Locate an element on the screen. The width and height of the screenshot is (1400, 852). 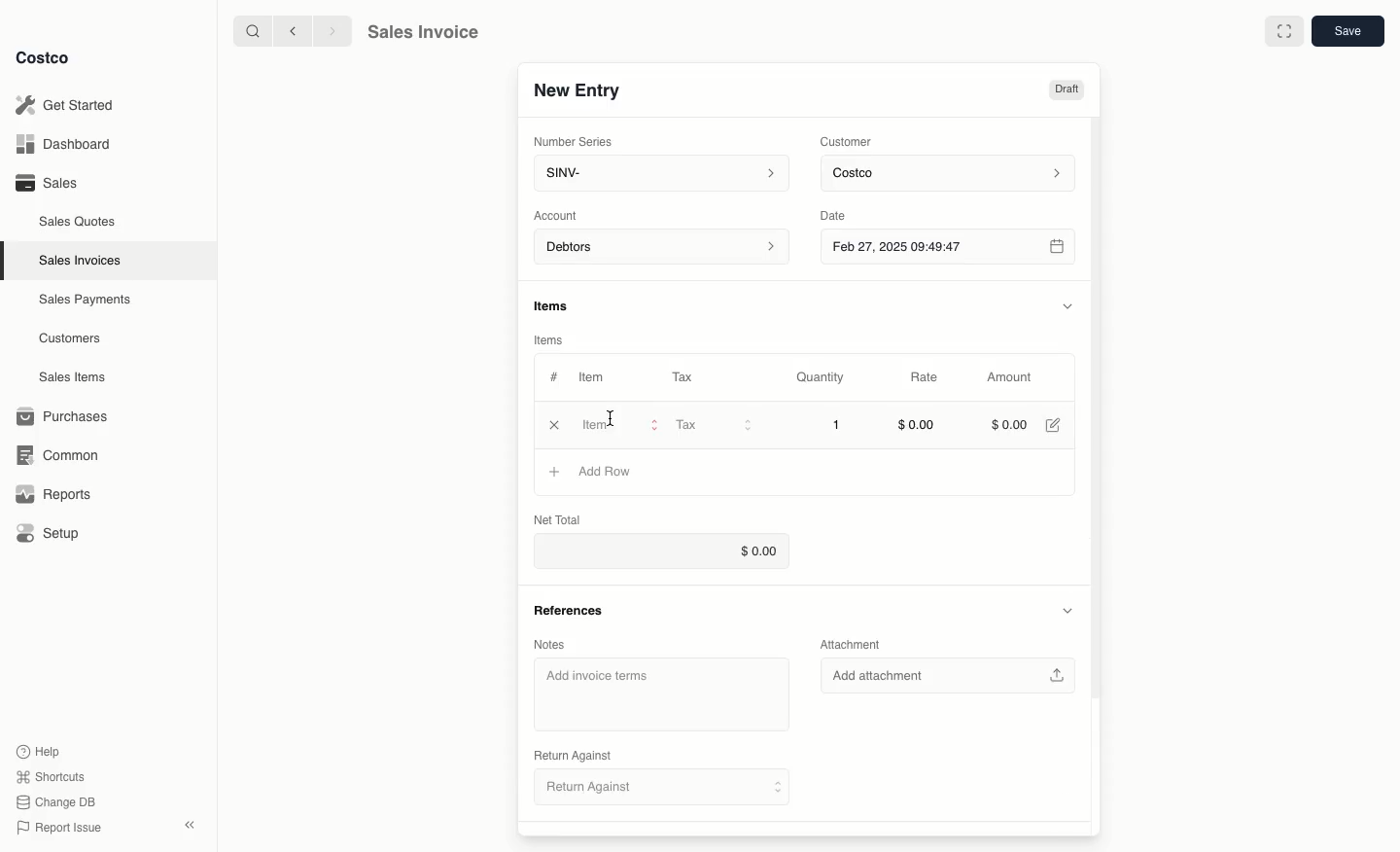
Item is located at coordinates (622, 424).